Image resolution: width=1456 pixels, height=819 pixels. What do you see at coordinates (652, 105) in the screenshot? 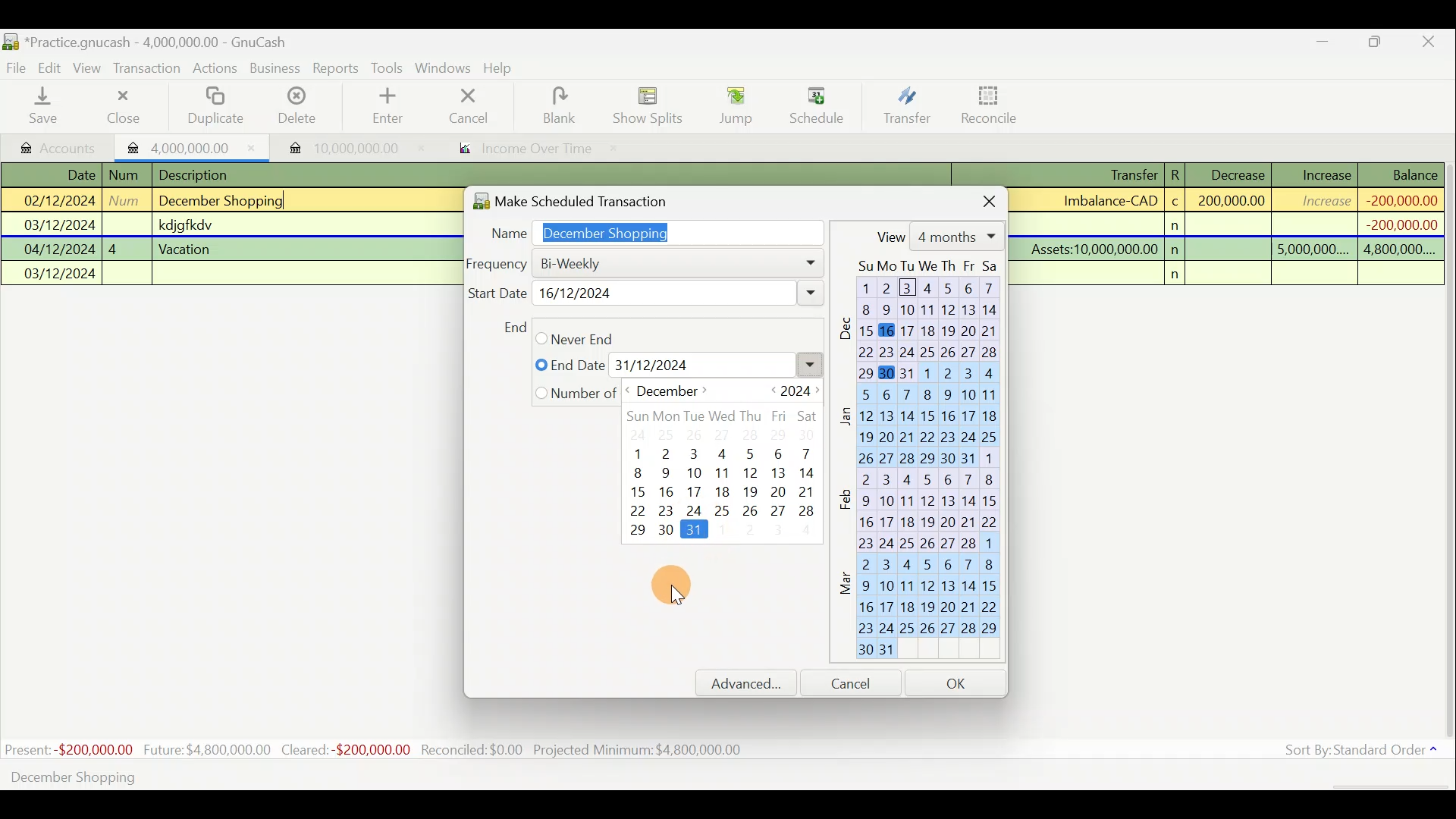
I see `Show splits` at bounding box center [652, 105].